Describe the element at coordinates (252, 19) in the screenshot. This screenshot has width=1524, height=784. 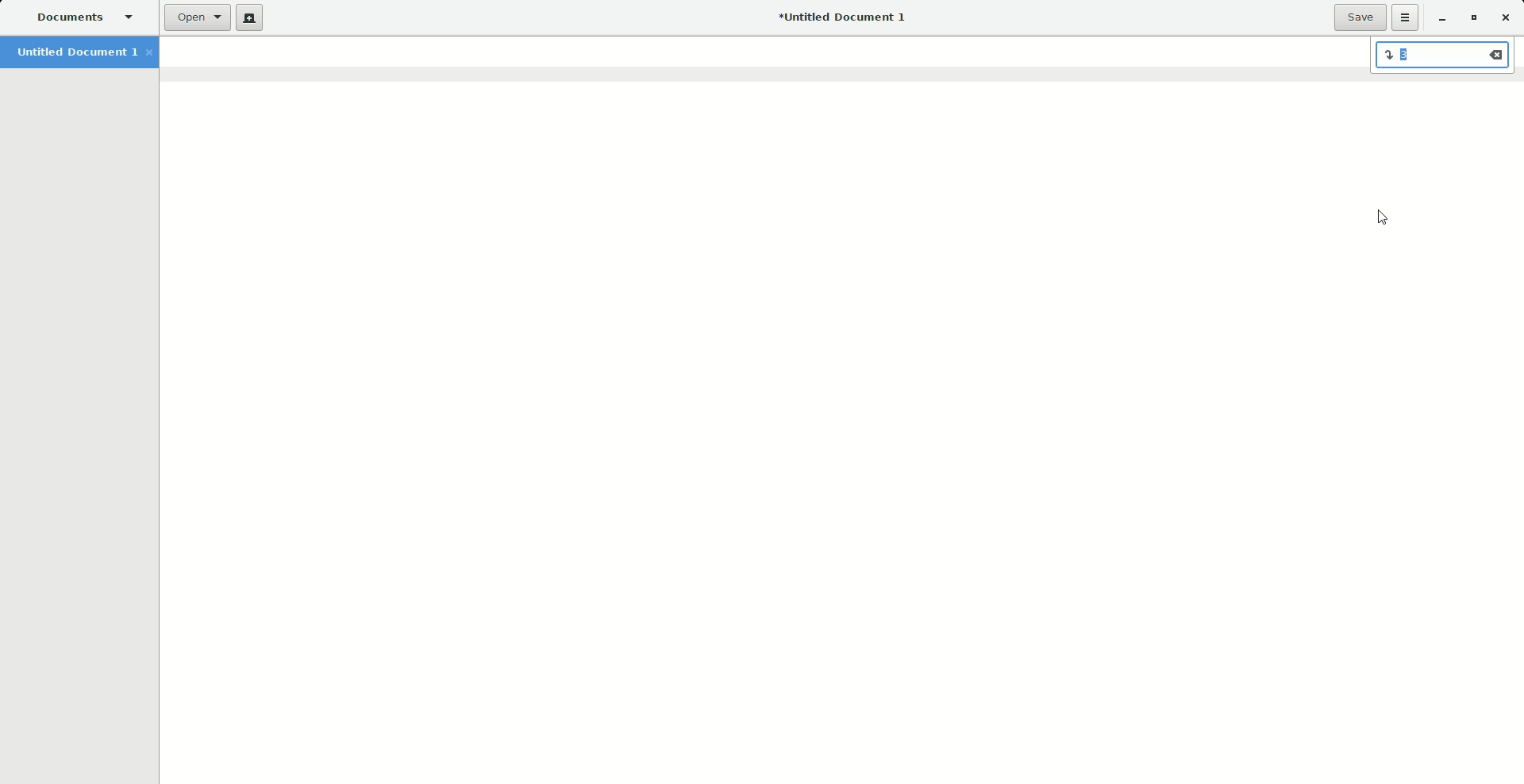
I see `New` at that location.